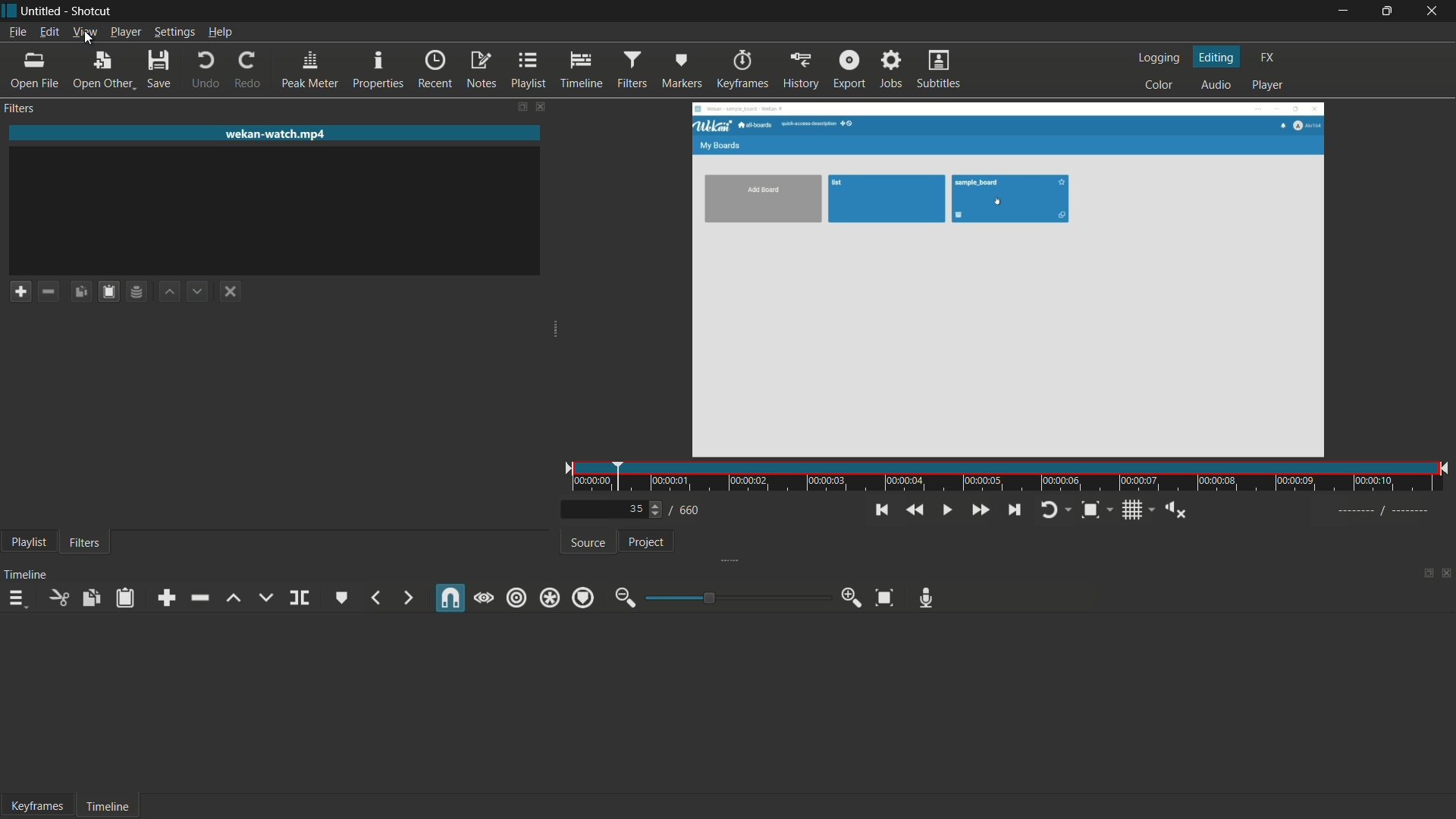  I want to click on skip to the previous point, so click(880, 510).